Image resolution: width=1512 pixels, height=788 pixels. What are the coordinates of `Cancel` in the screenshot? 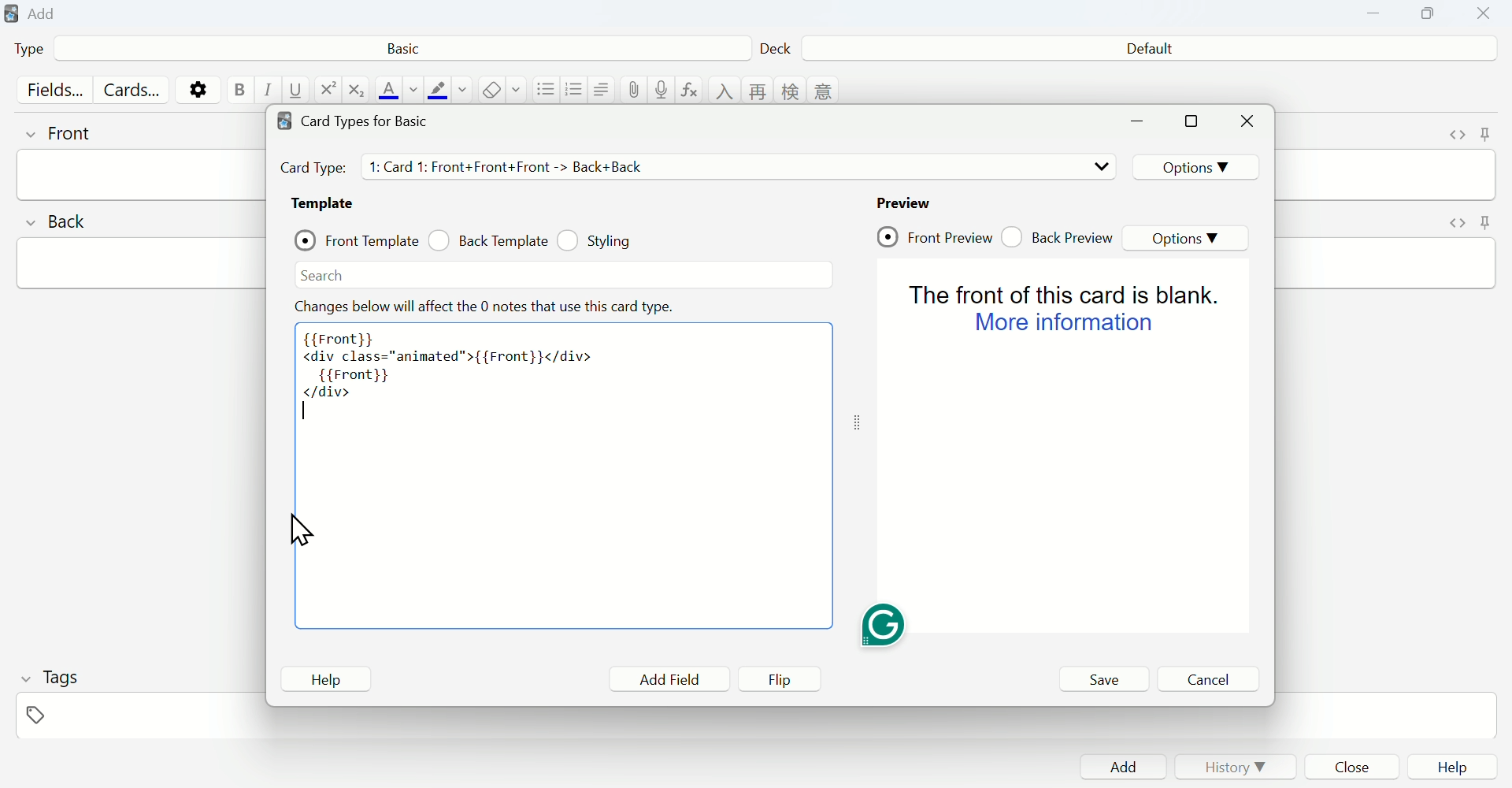 It's located at (1209, 679).